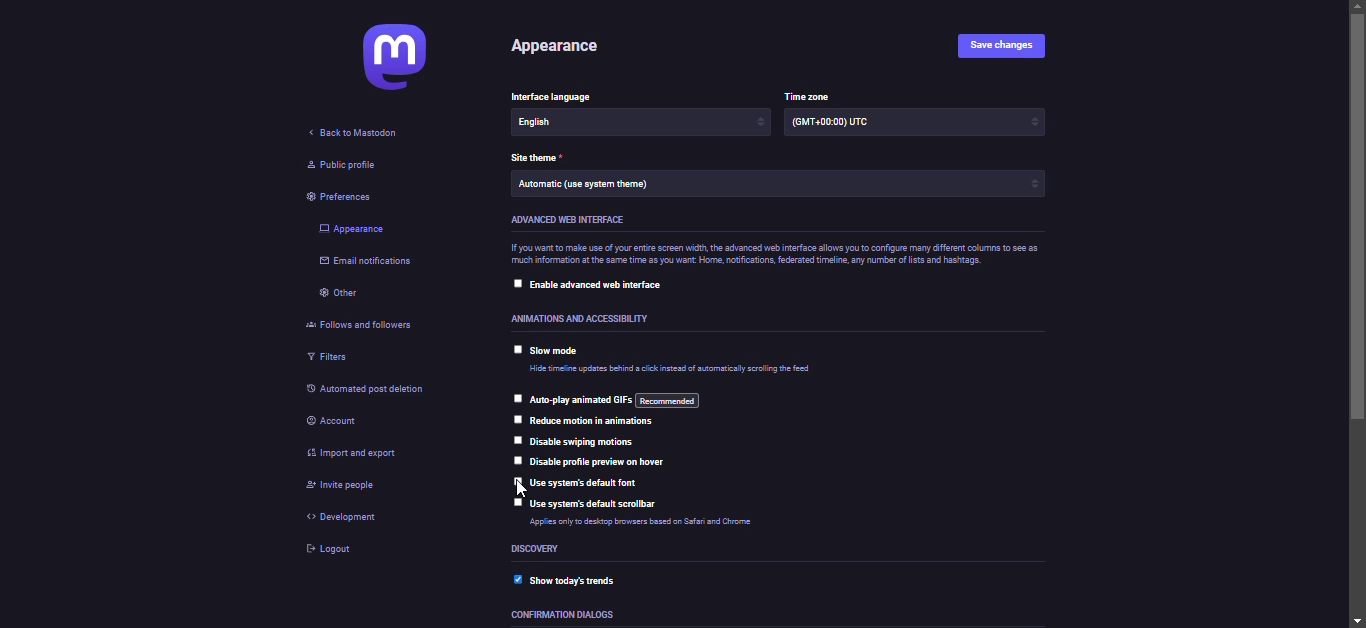 The image size is (1366, 628). What do you see at coordinates (540, 156) in the screenshot?
I see `theme` at bounding box center [540, 156].